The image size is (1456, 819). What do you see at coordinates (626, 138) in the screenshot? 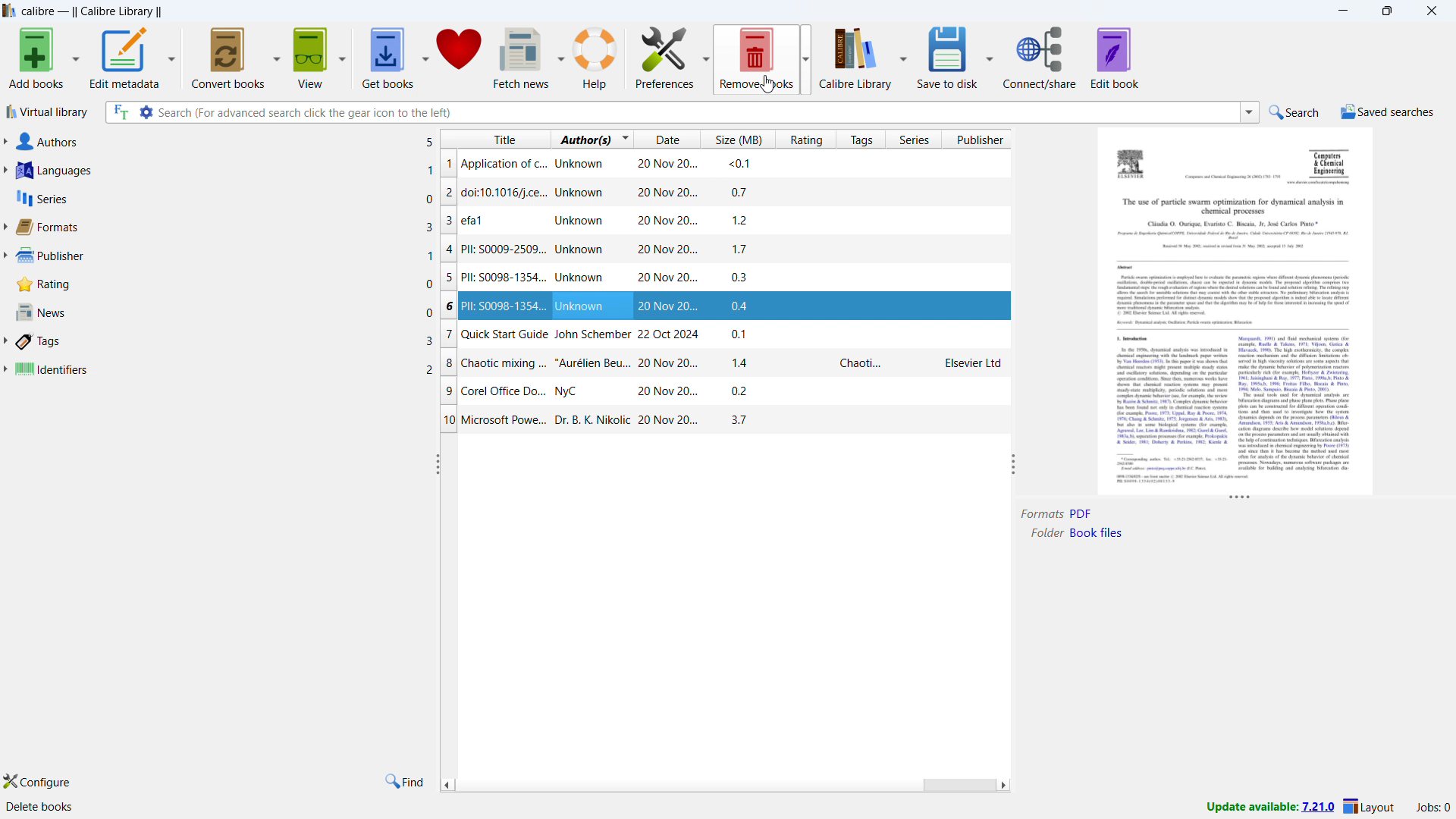
I see `change sorting order` at bounding box center [626, 138].